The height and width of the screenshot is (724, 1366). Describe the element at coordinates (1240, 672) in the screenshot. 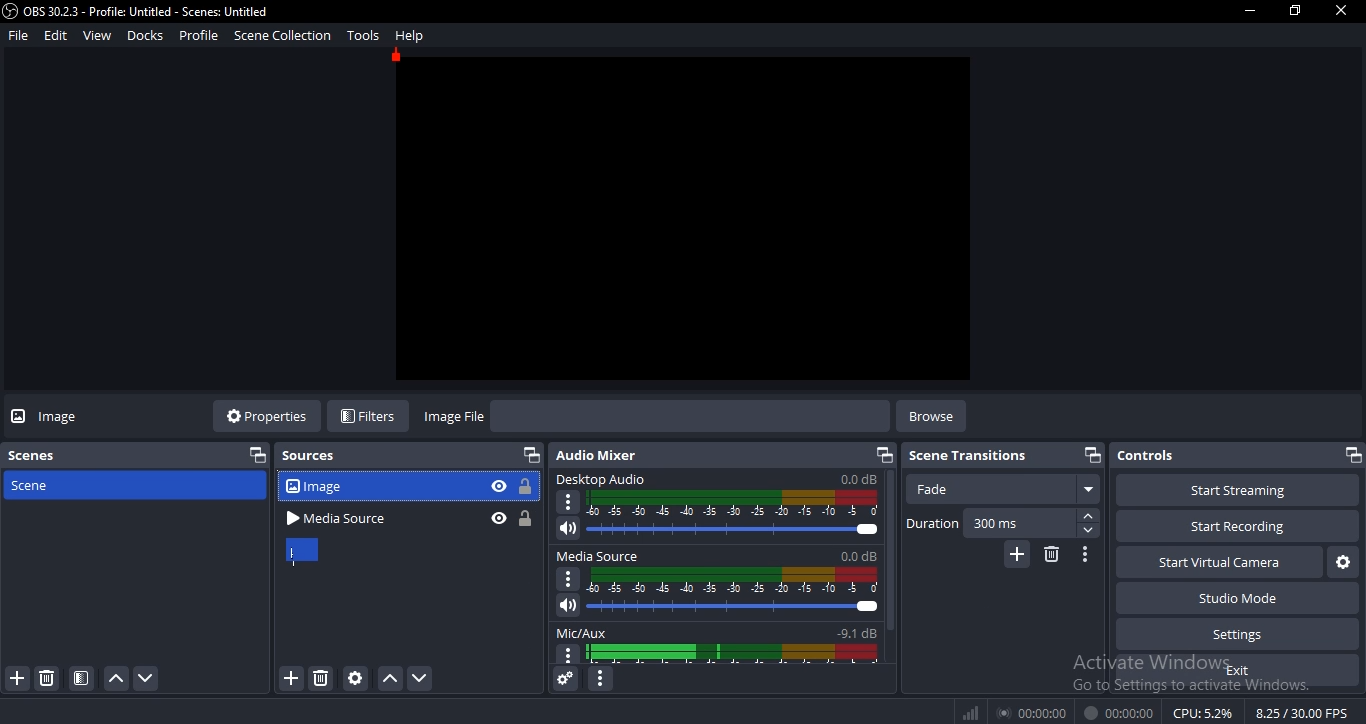

I see `exit` at that location.